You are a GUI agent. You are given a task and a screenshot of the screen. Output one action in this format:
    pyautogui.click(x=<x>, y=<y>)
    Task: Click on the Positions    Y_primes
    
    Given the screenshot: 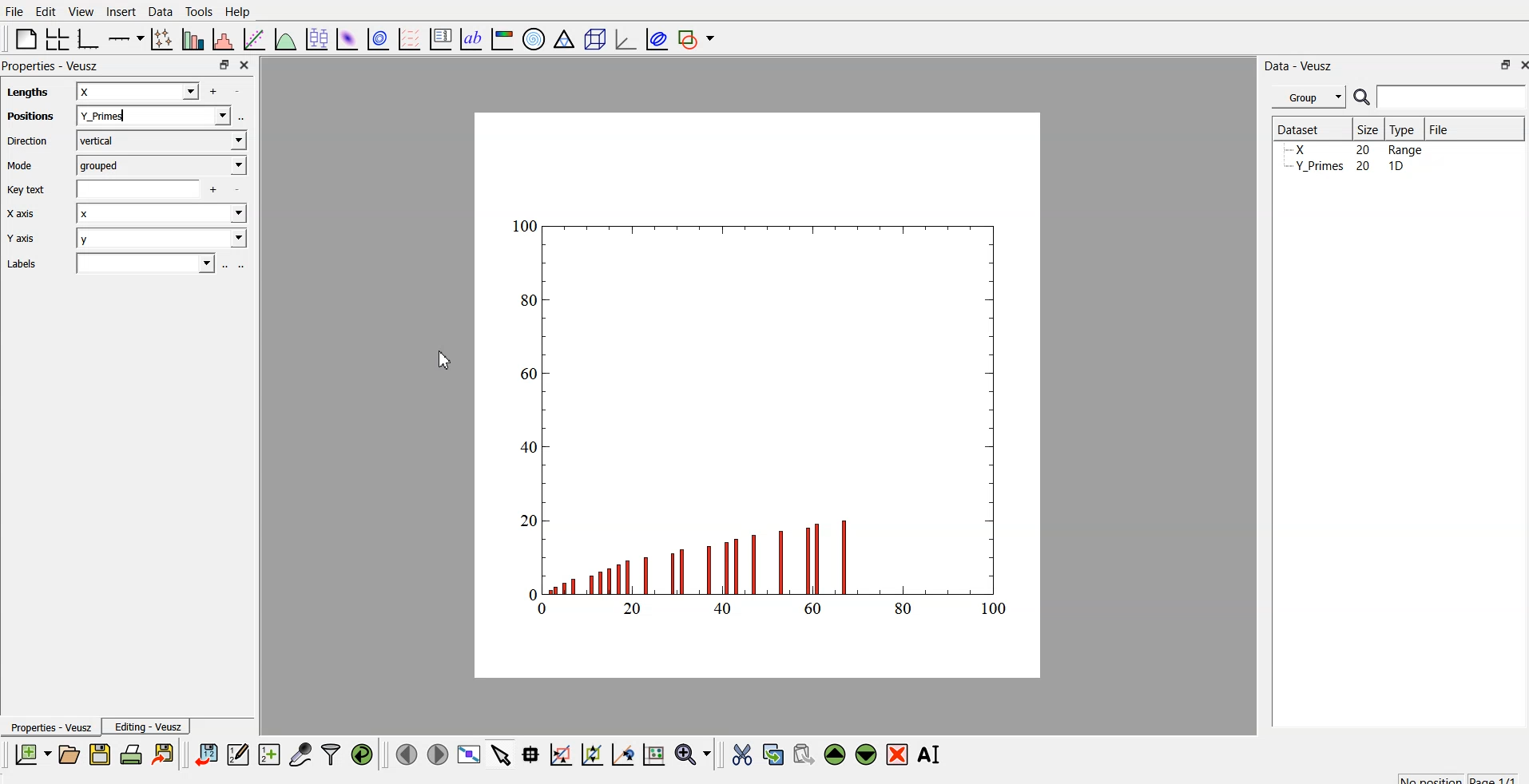 What is the action you would take?
    pyautogui.click(x=126, y=116)
    